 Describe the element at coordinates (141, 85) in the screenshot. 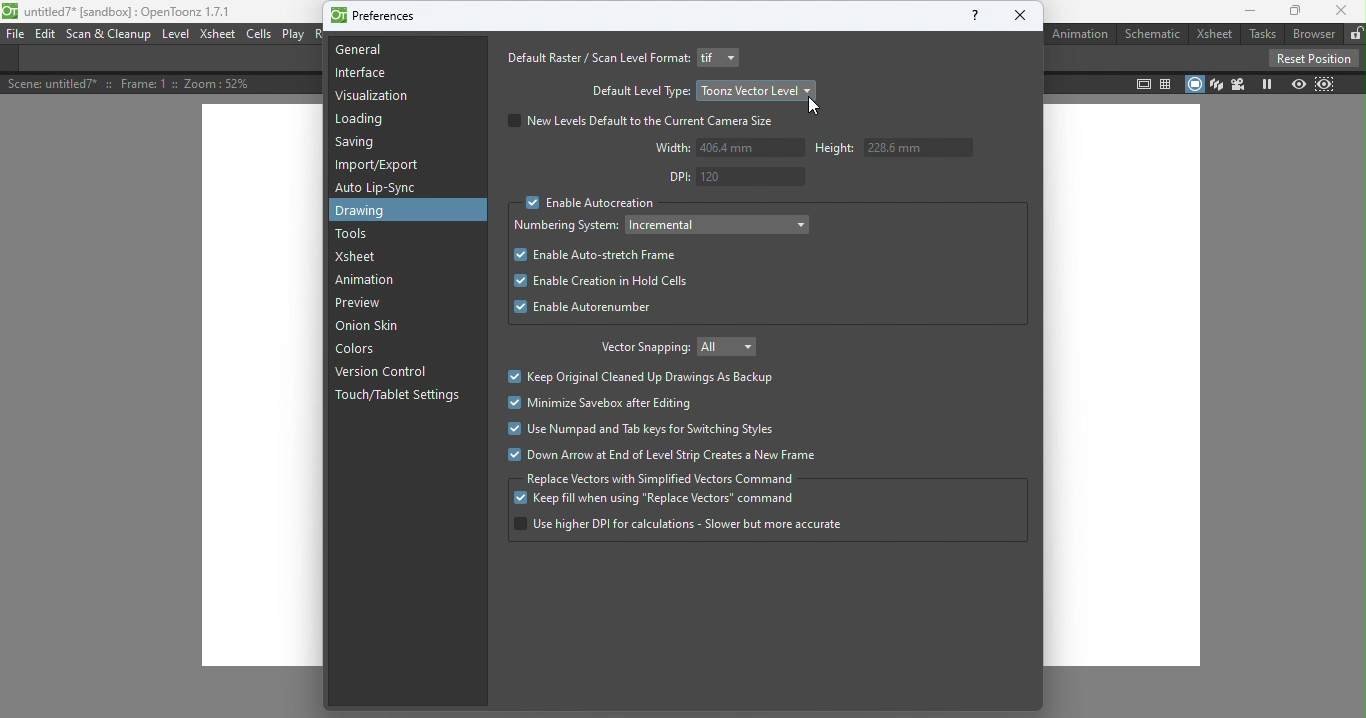

I see `scene details` at that location.